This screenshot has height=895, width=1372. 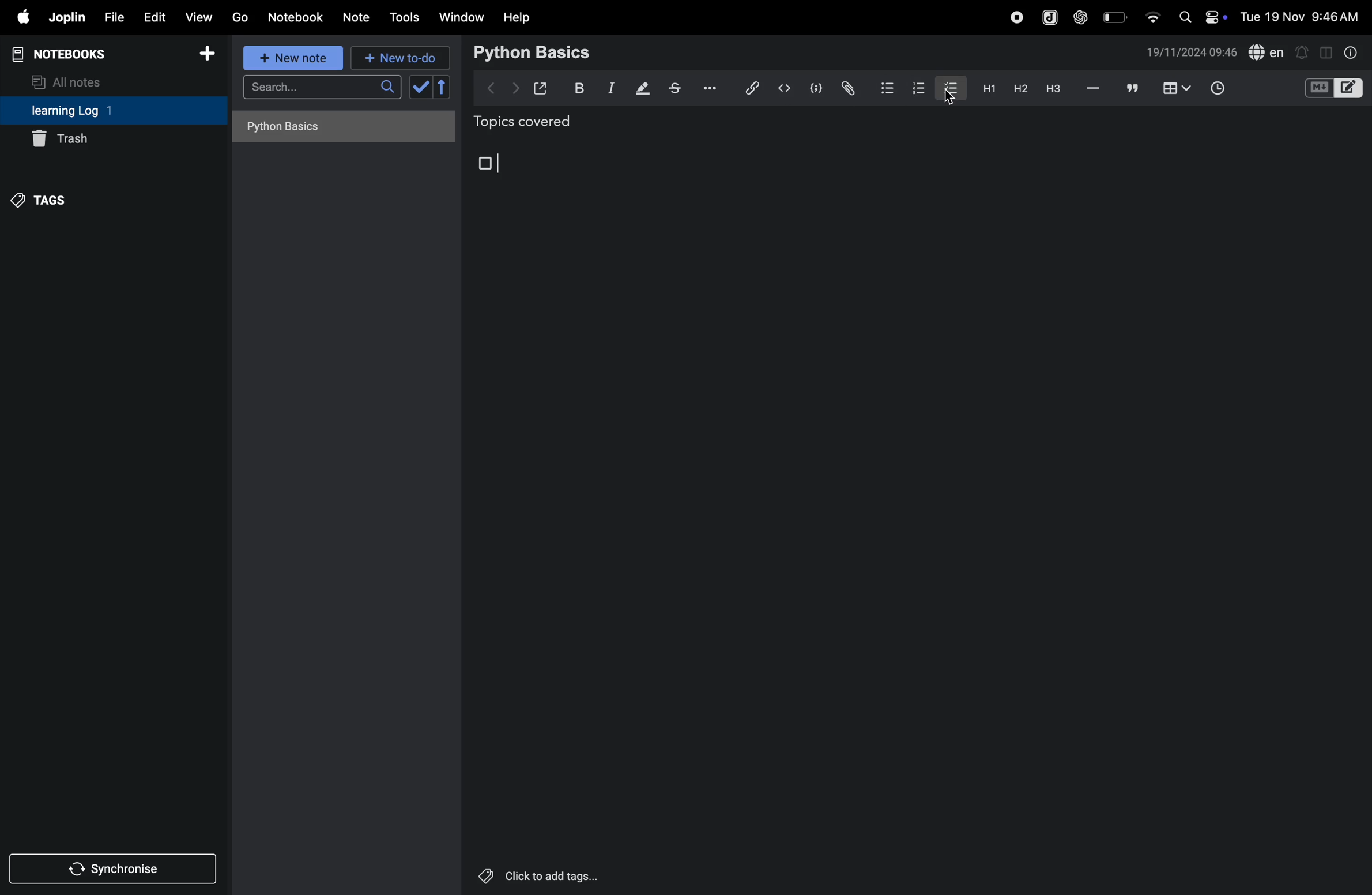 What do you see at coordinates (609, 89) in the screenshot?
I see `itallic` at bounding box center [609, 89].